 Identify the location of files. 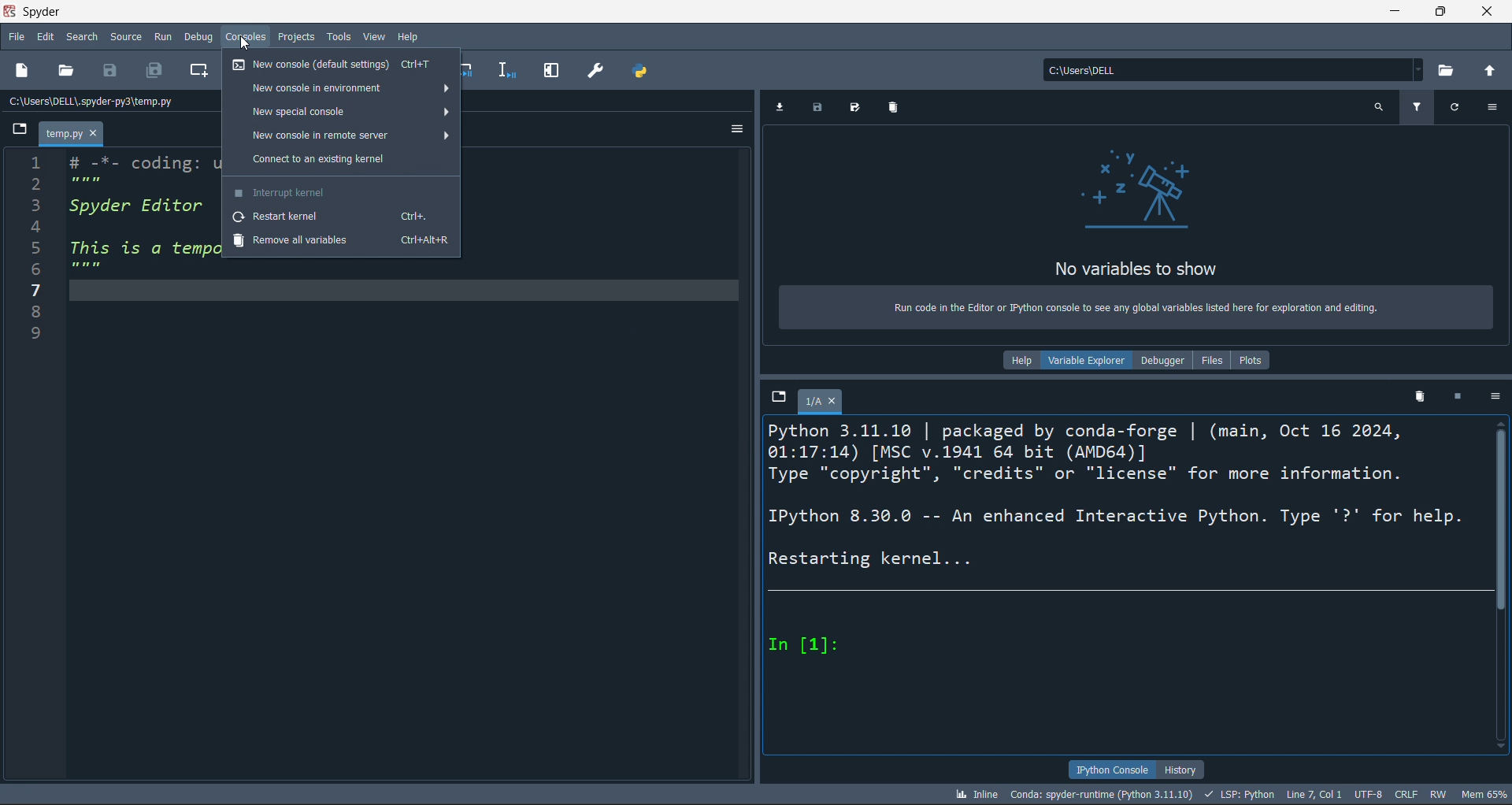
(1212, 358).